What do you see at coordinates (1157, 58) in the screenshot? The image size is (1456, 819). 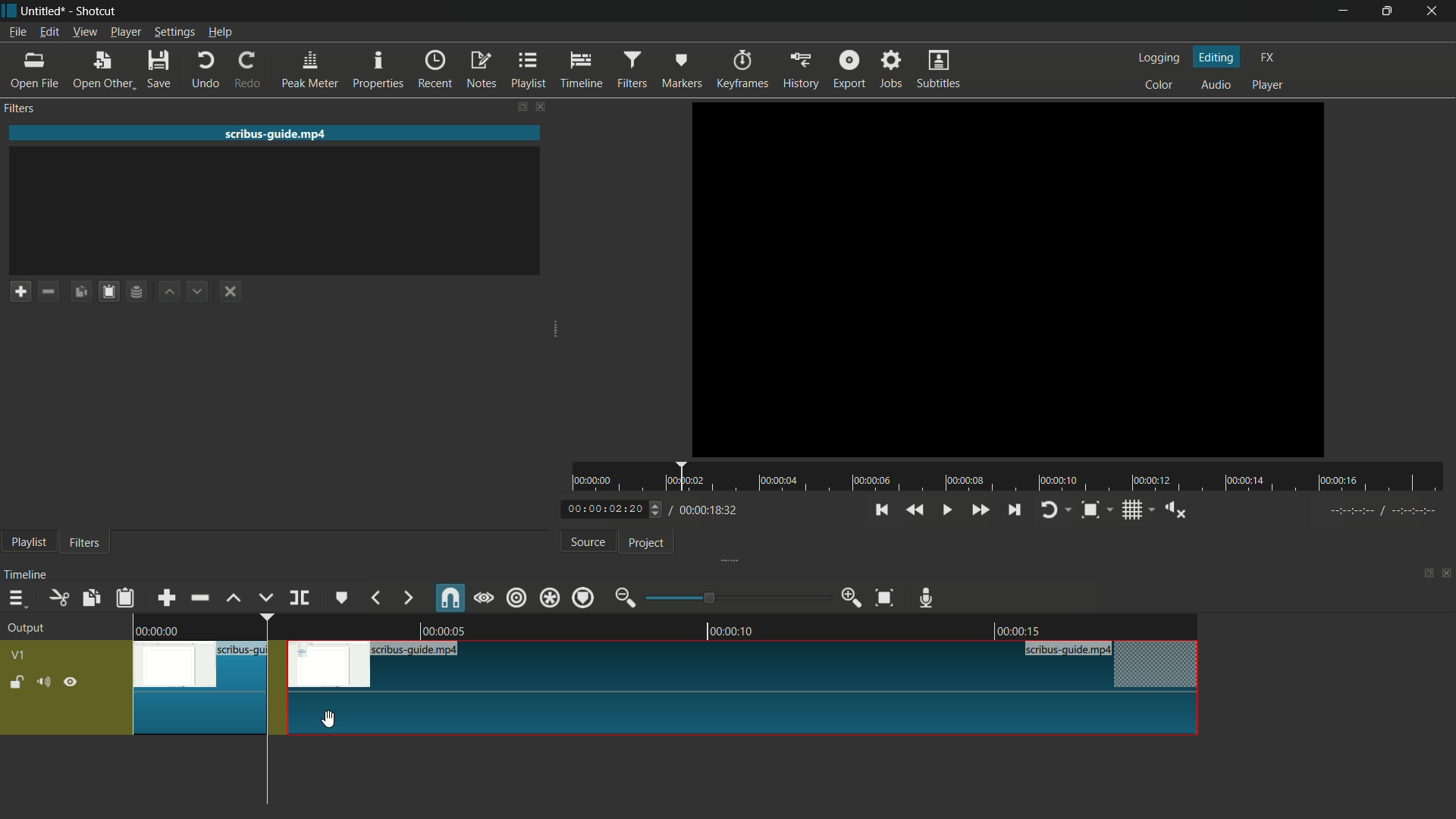 I see `logging` at bounding box center [1157, 58].